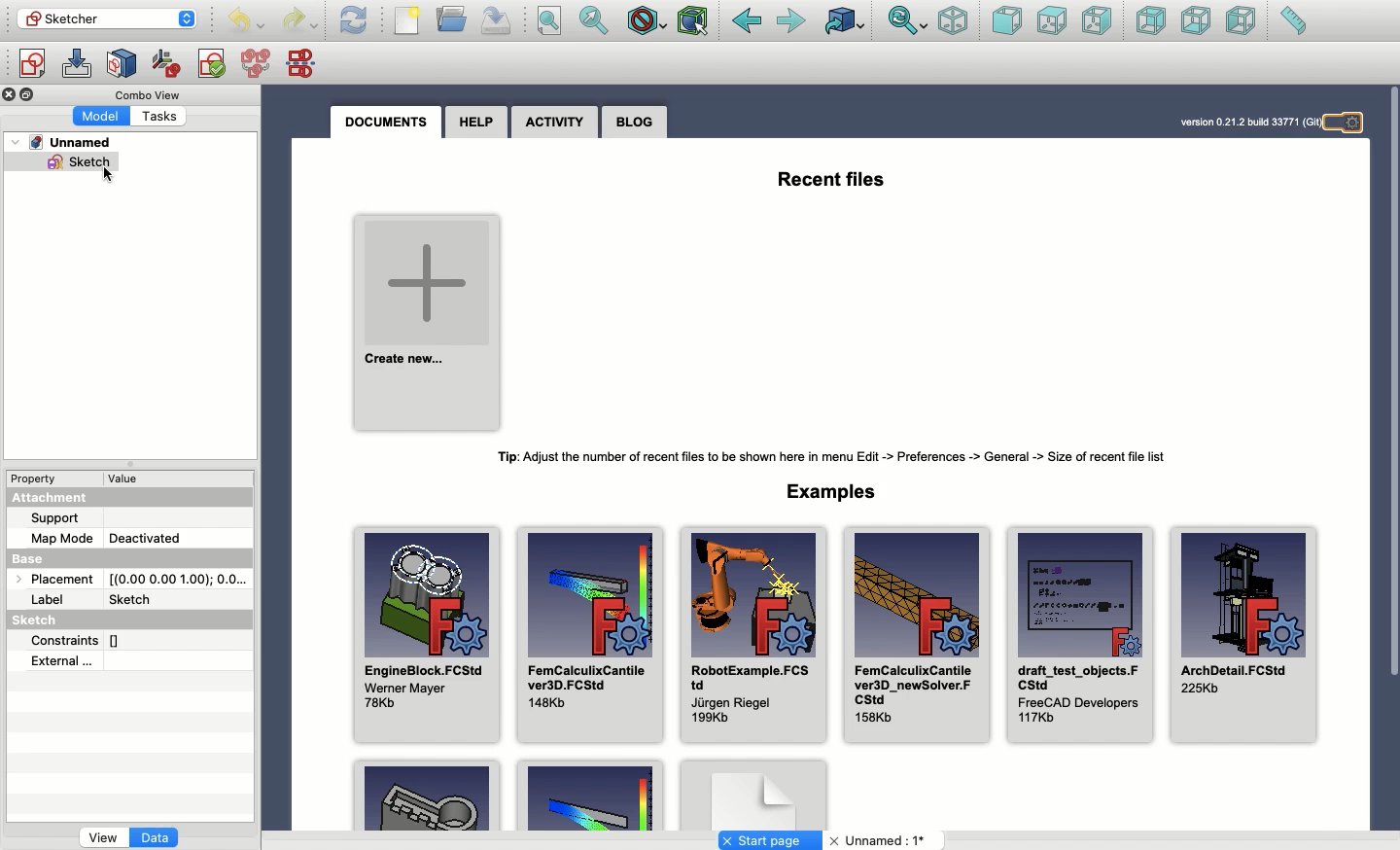 Image resolution: width=1400 pixels, height=850 pixels. I want to click on Sketcher, so click(94, 18).